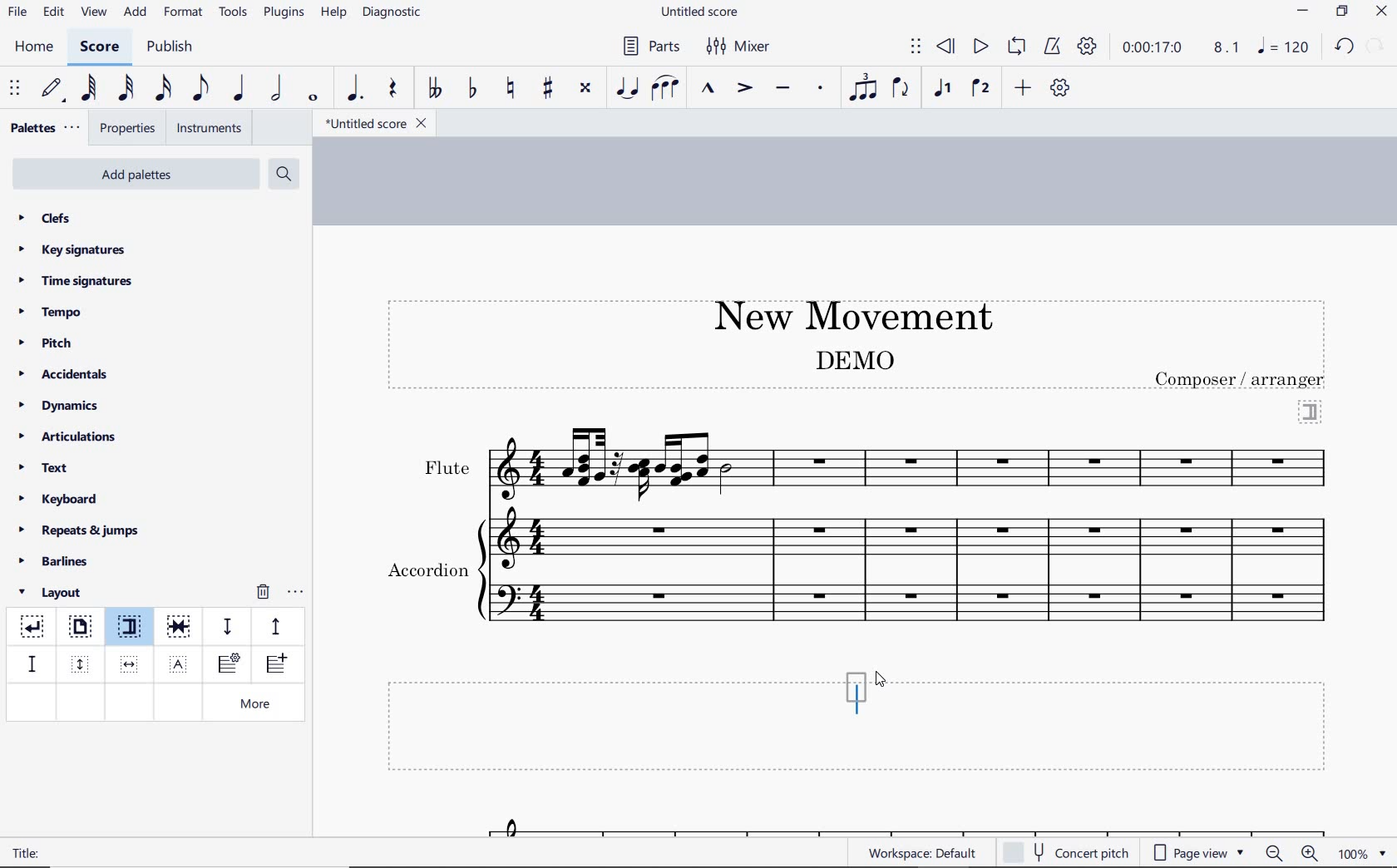  What do you see at coordinates (1362, 853) in the screenshot?
I see `zoom factor` at bounding box center [1362, 853].